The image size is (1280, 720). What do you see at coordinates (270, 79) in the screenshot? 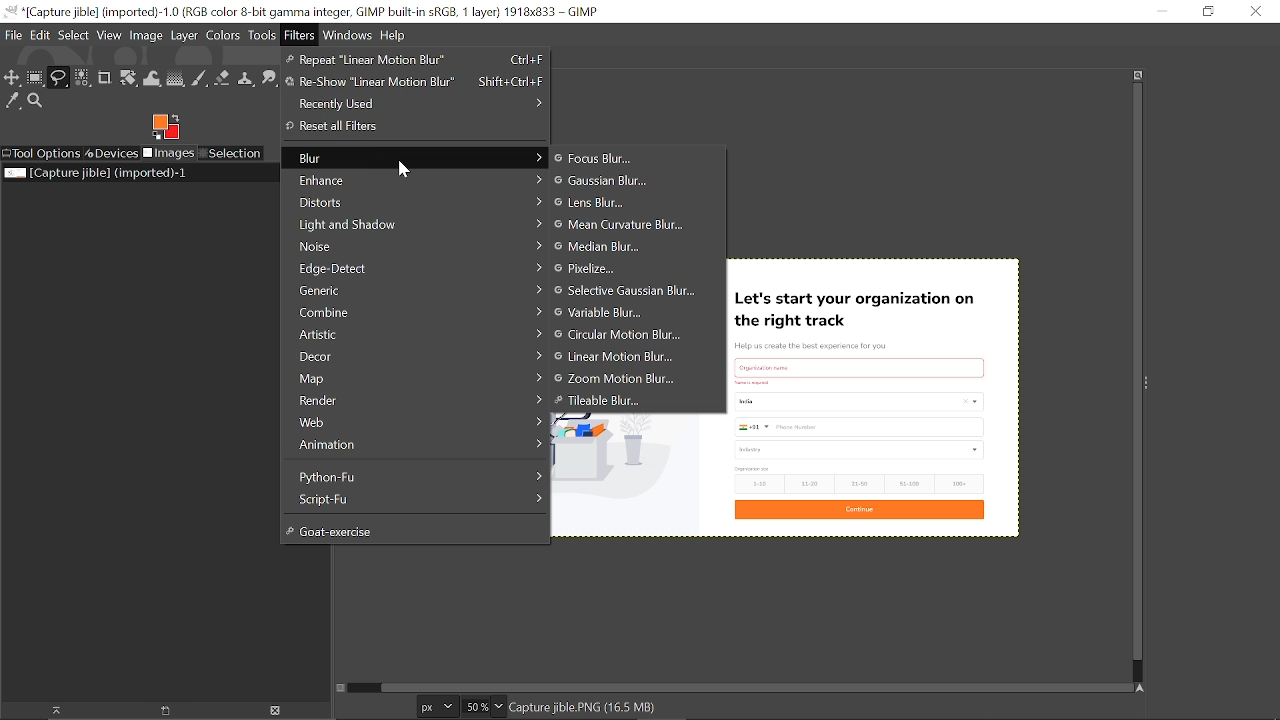
I see `Smudge tool` at bounding box center [270, 79].